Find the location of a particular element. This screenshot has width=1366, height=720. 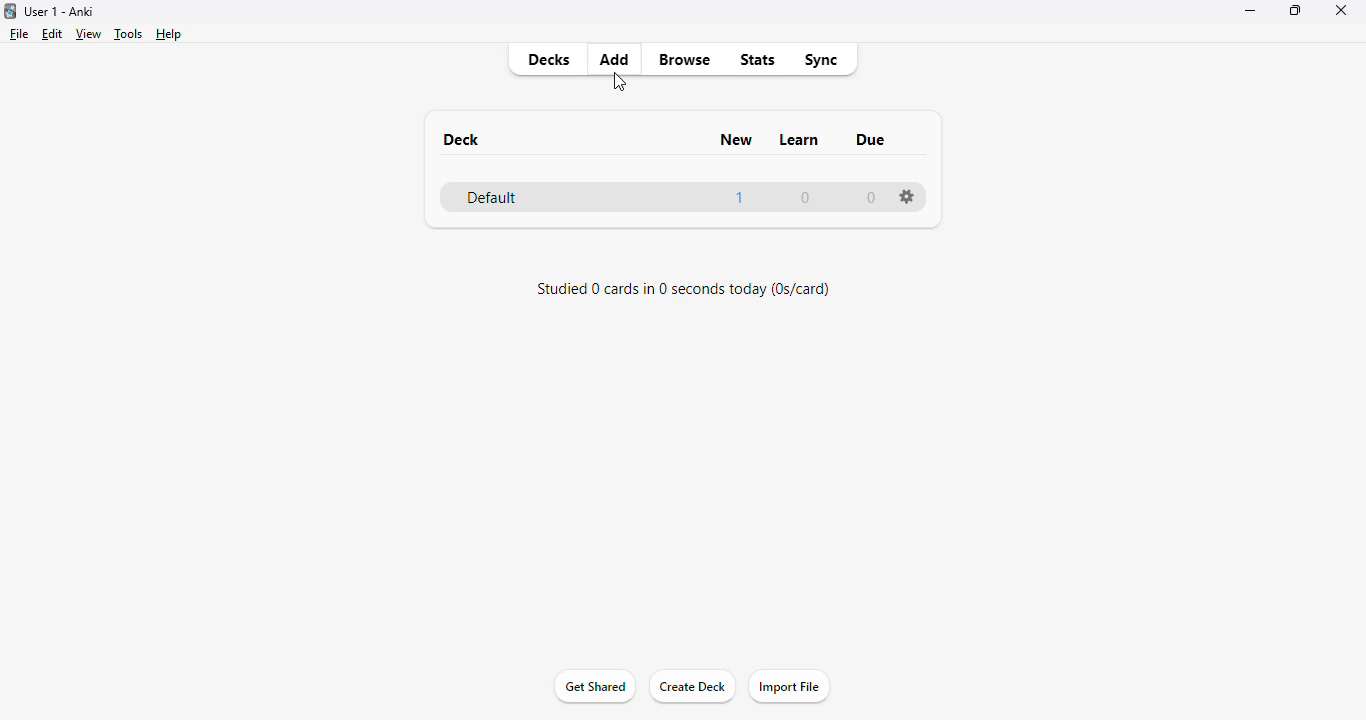

title is located at coordinates (60, 11).